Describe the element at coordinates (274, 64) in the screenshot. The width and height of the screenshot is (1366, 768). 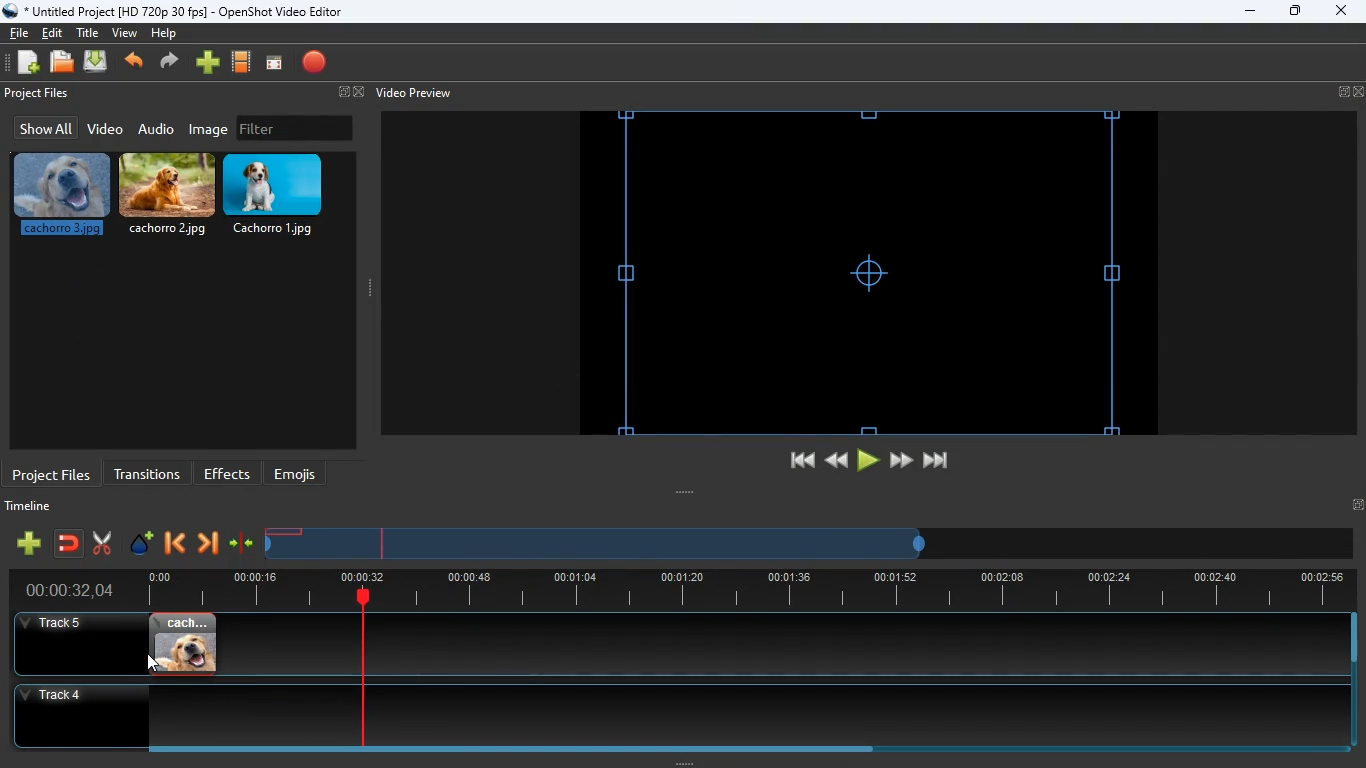
I see `screen` at that location.